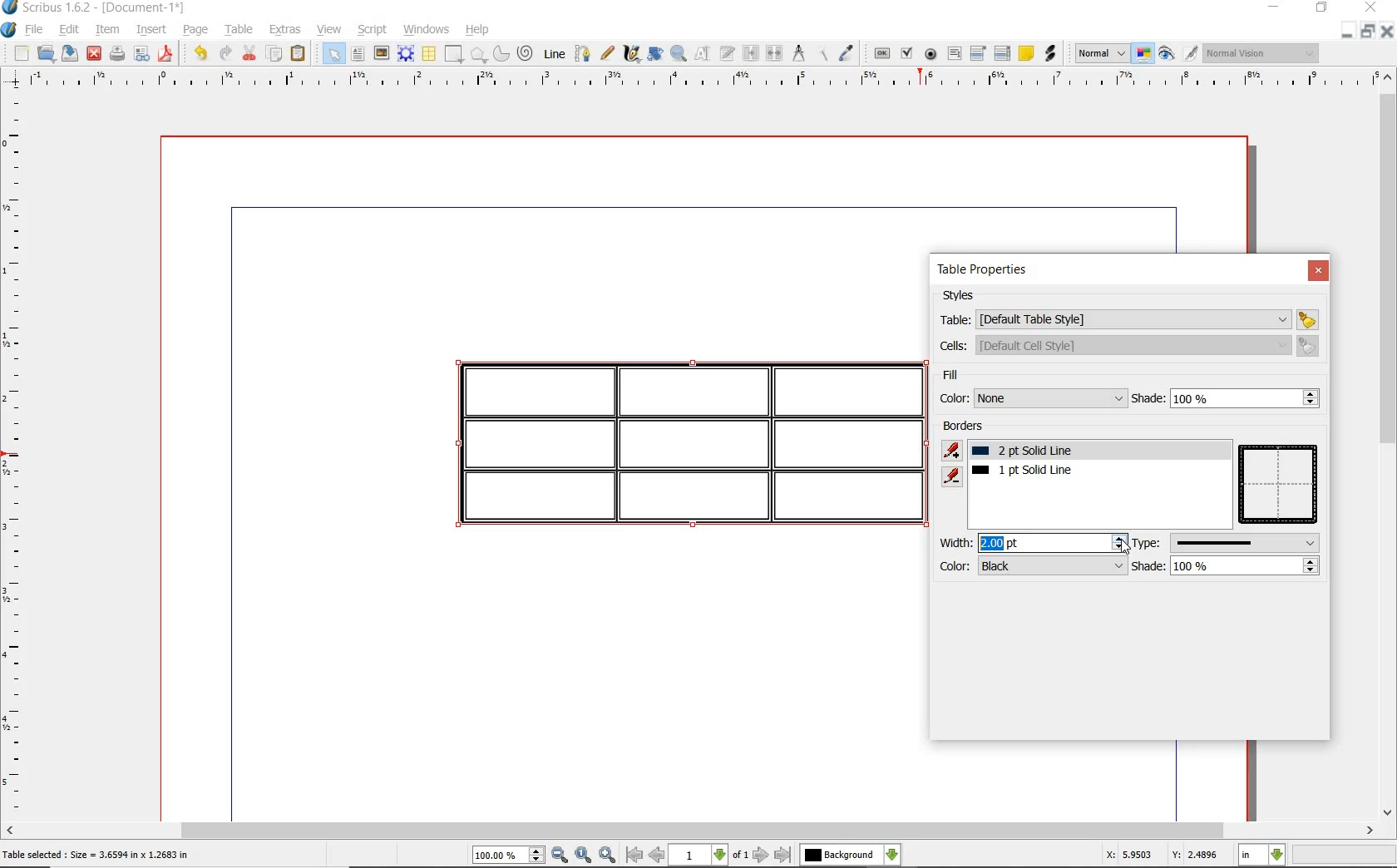  I want to click on shape, so click(452, 55).